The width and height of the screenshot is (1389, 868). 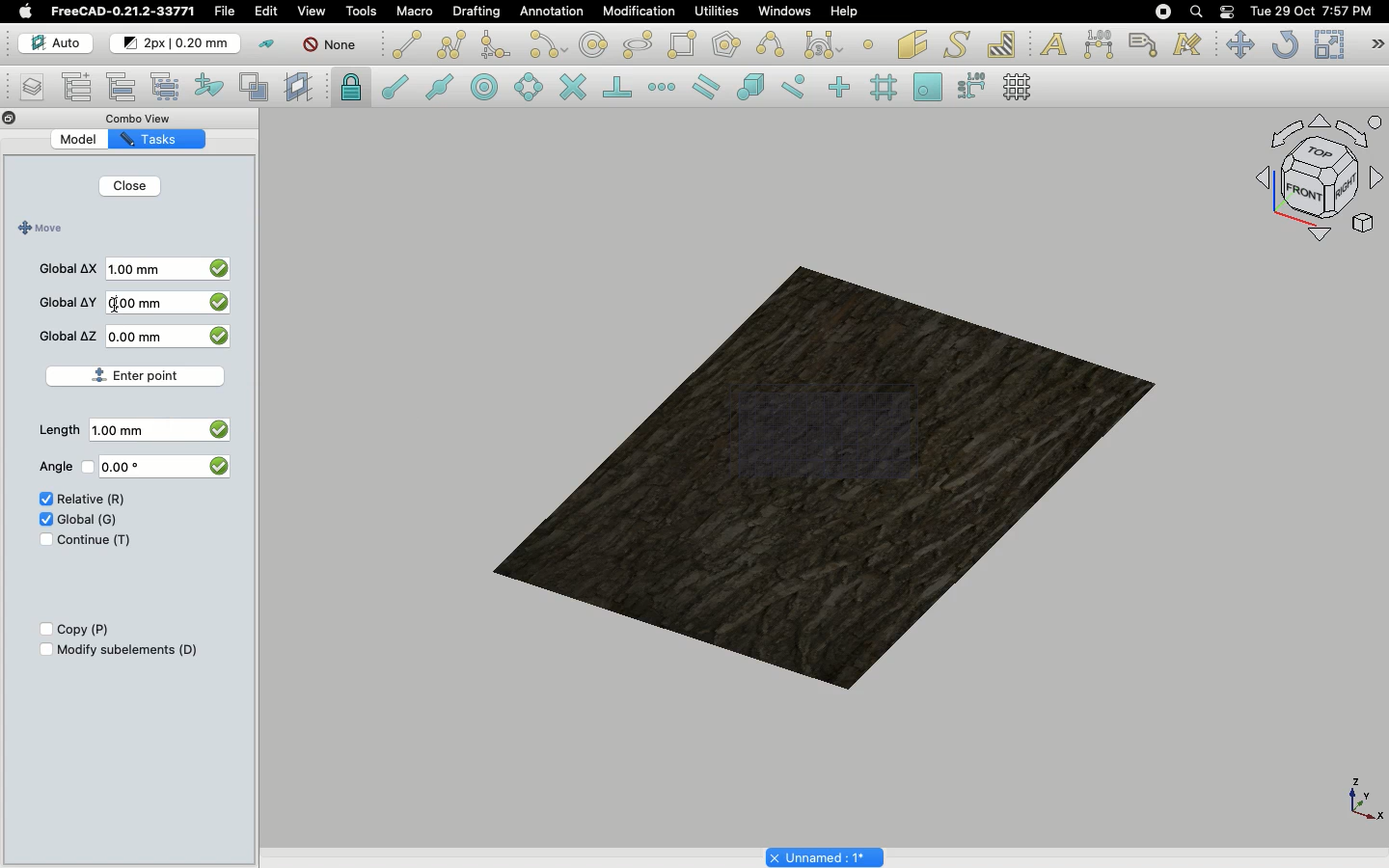 I want to click on Move, so click(x=1239, y=44).